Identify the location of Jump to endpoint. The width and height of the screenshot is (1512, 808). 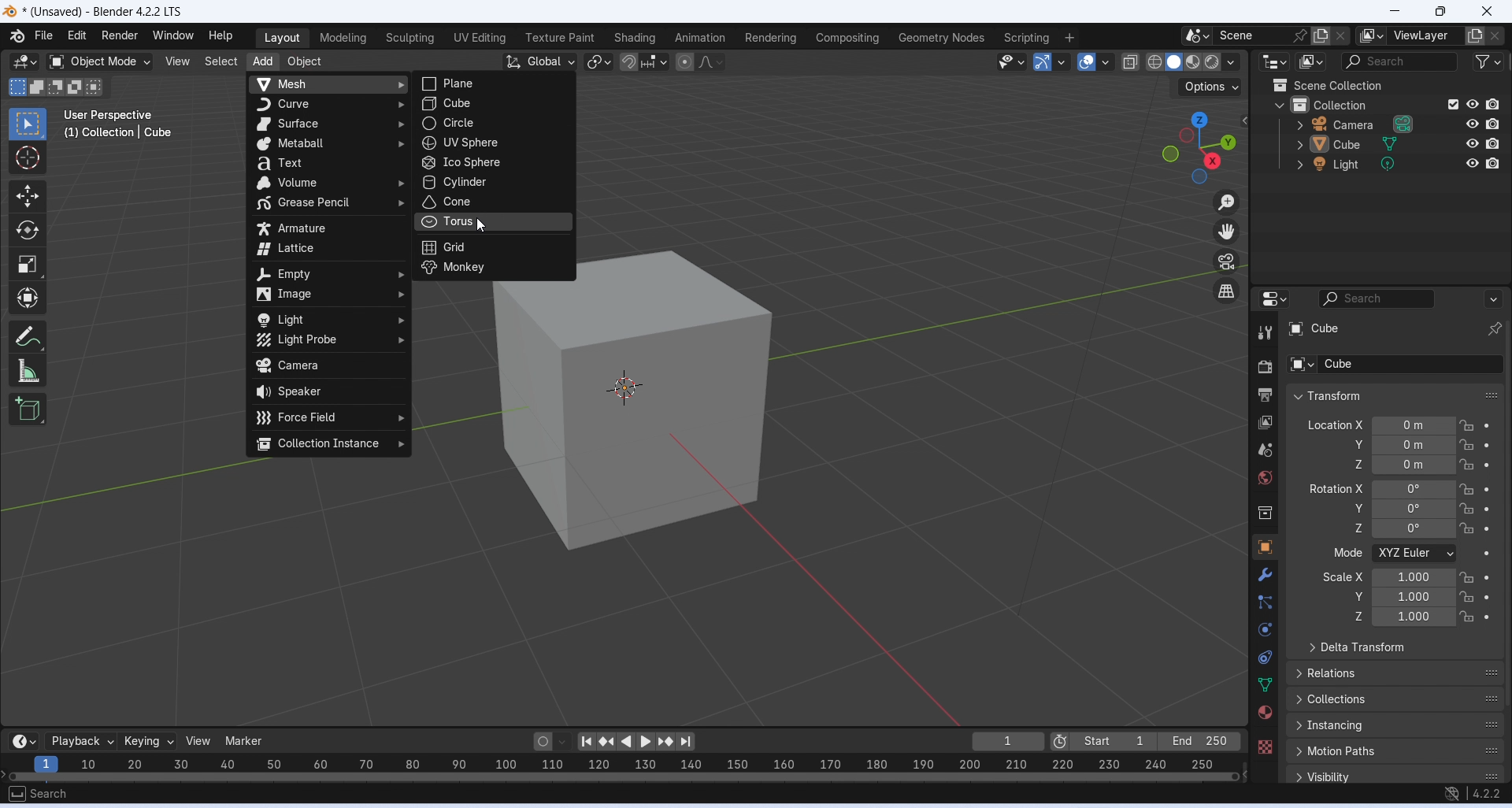
(584, 740).